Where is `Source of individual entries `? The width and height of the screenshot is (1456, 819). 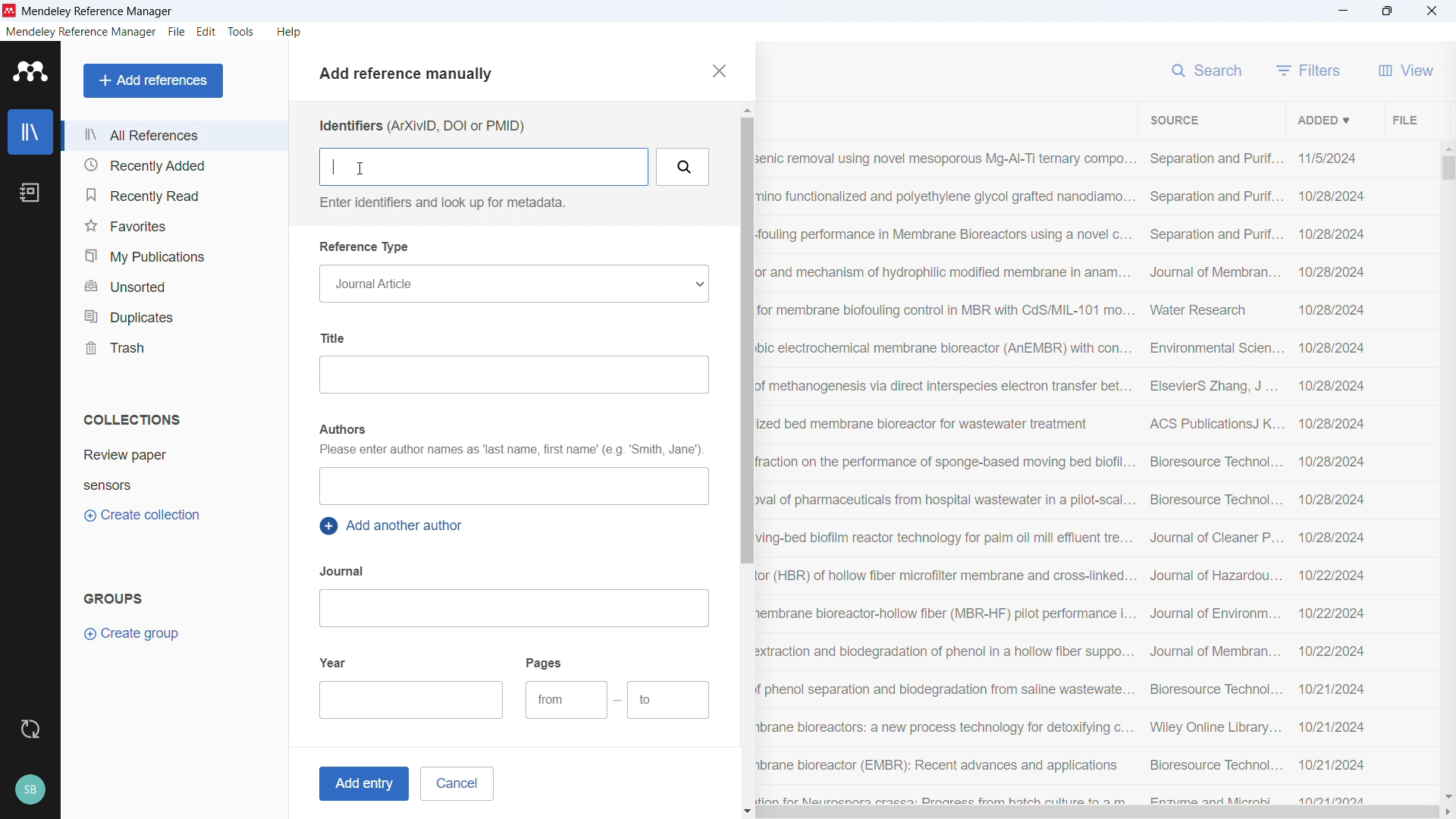 Source of individual entries  is located at coordinates (1214, 475).